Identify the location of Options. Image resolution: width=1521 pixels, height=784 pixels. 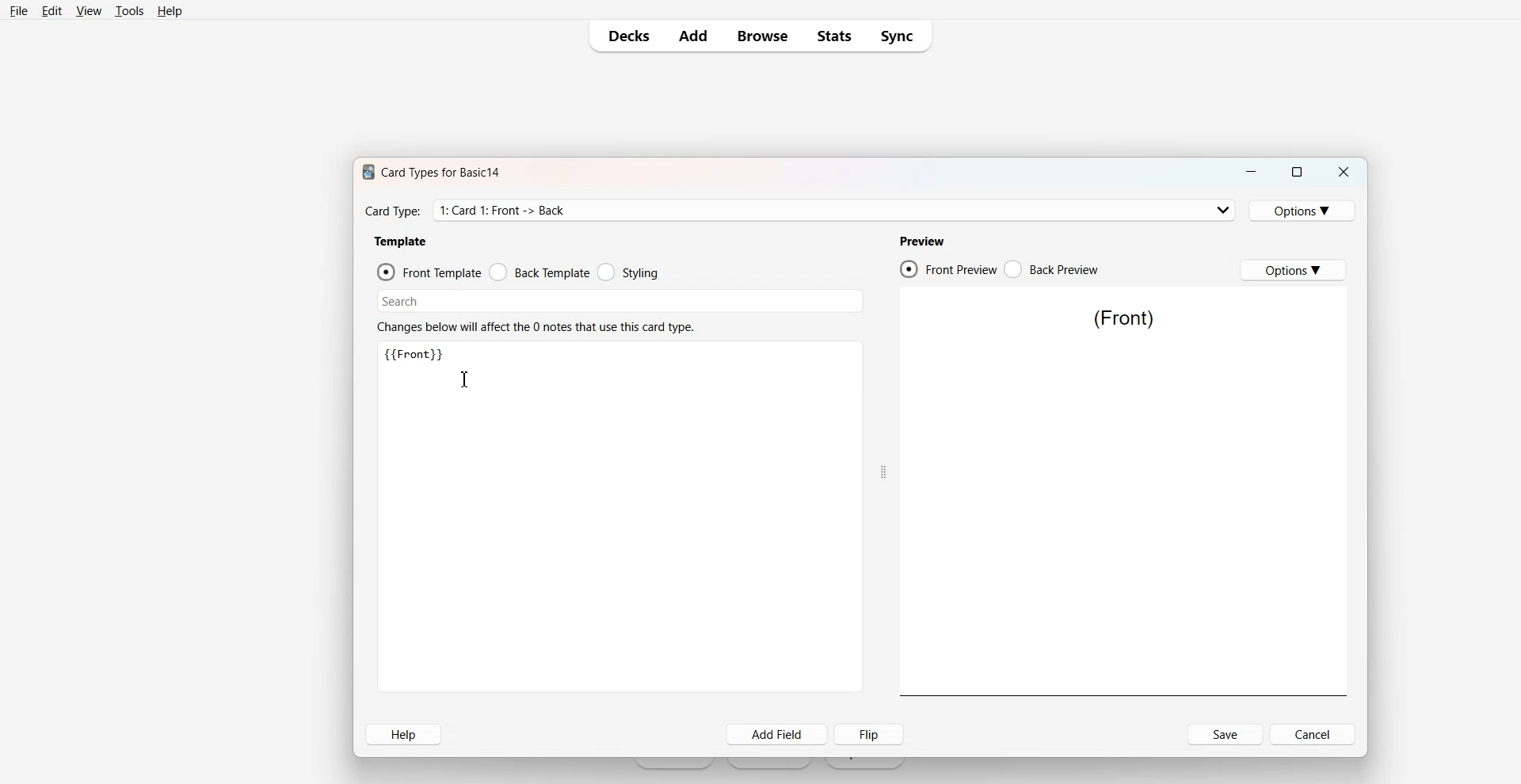
(1302, 211).